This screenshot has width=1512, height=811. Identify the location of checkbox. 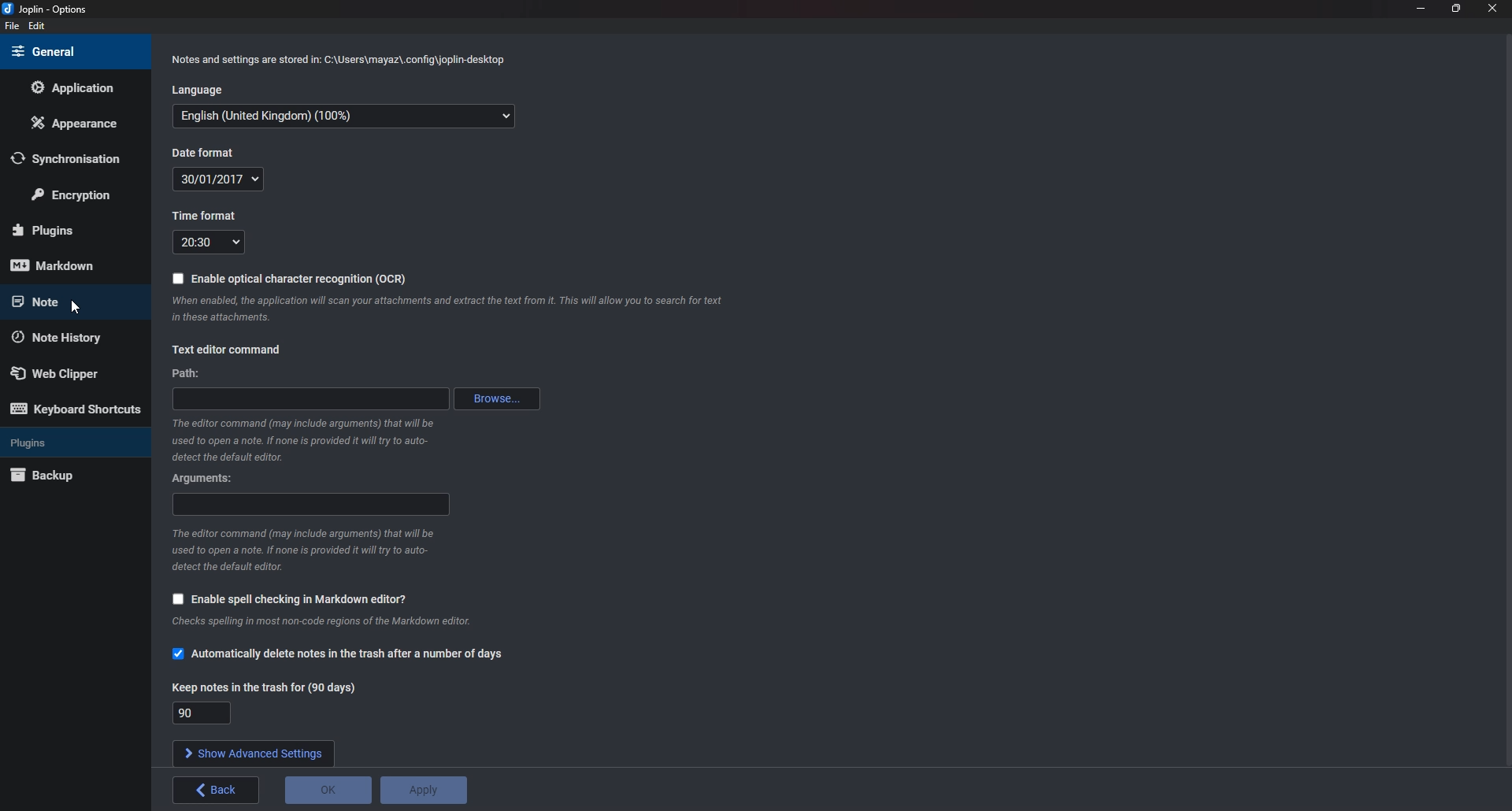
(177, 599).